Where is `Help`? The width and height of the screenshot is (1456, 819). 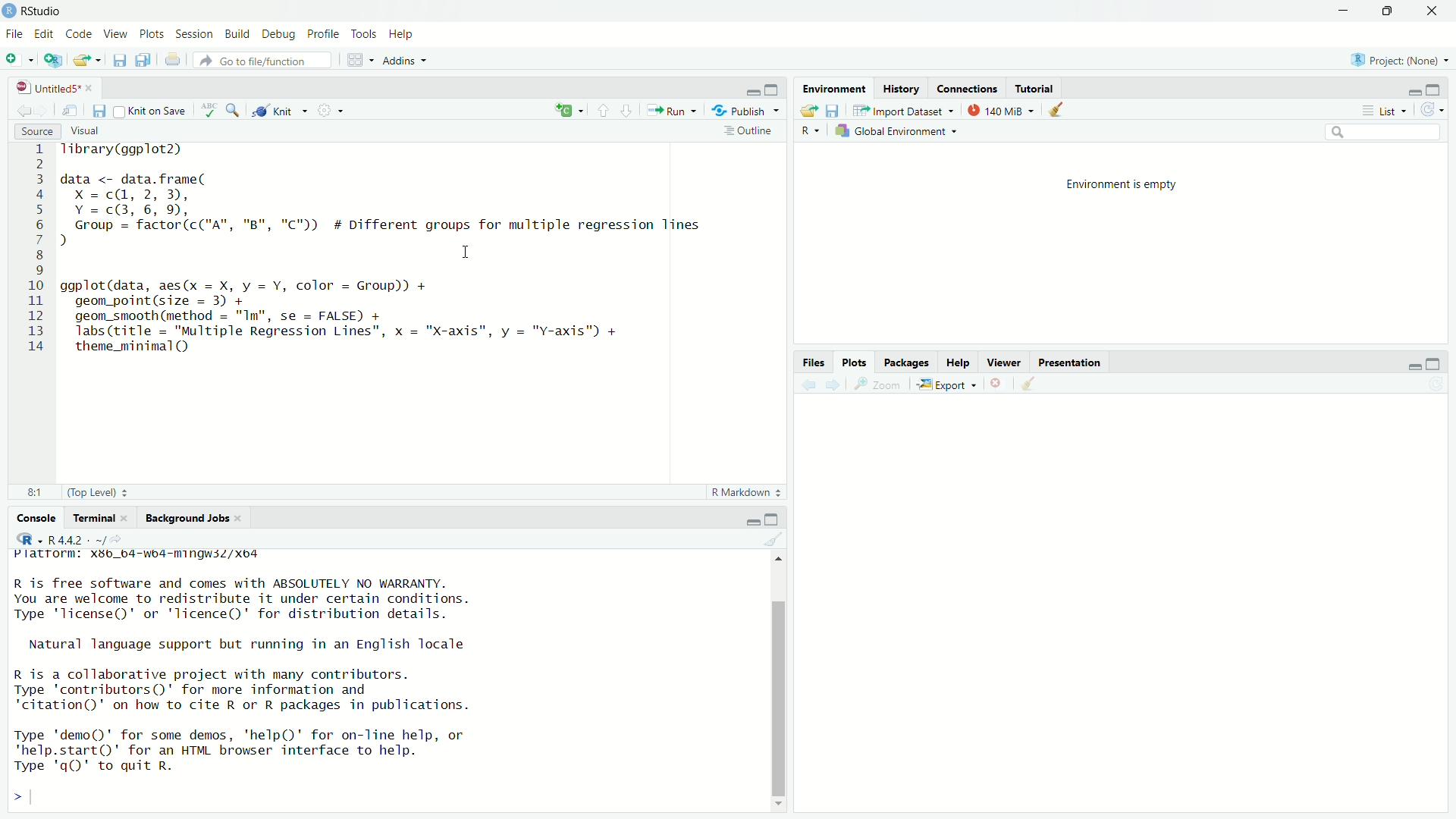
Help is located at coordinates (406, 33).